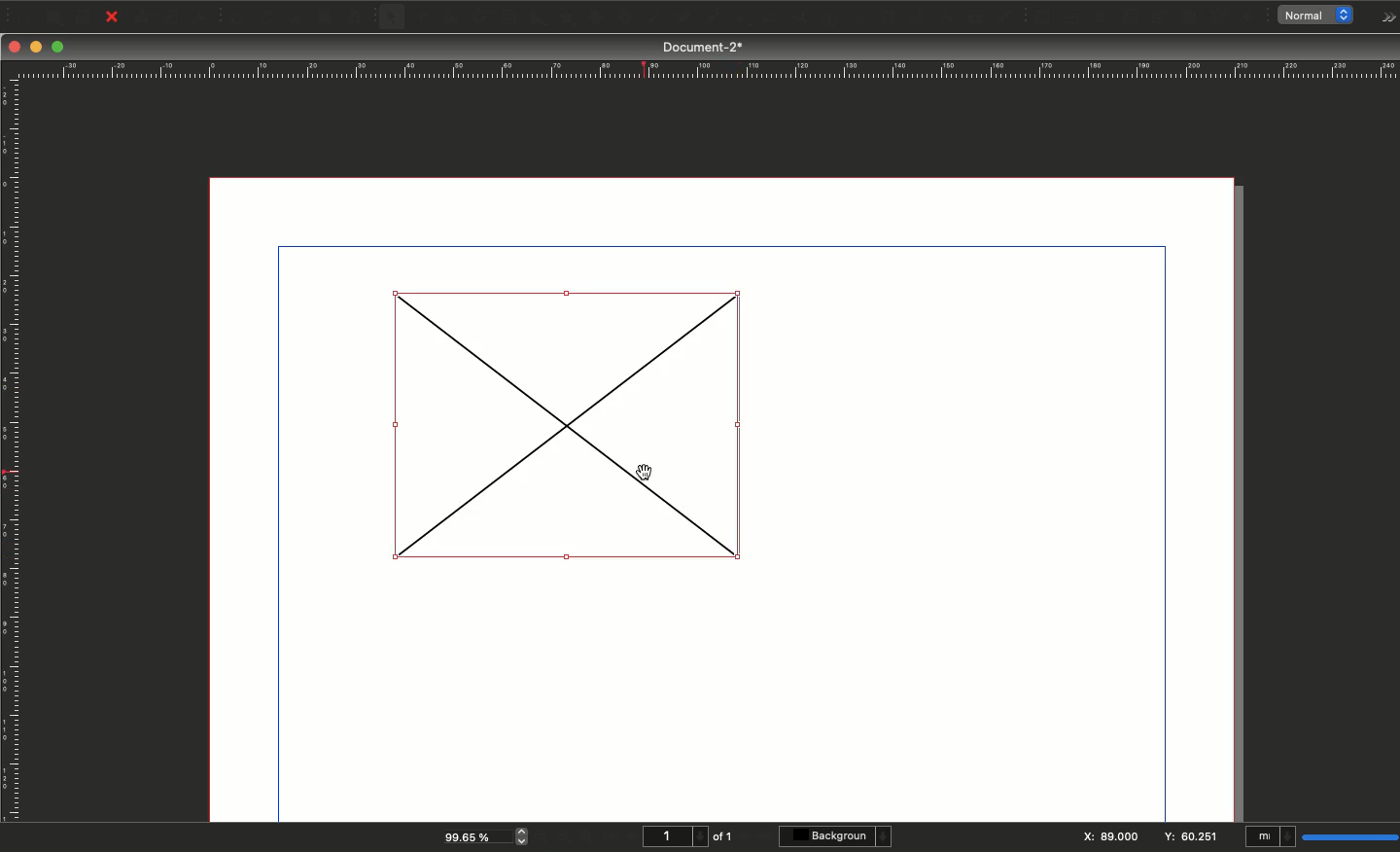  Describe the element at coordinates (1271, 838) in the screenshot. I see `mI` at that location.